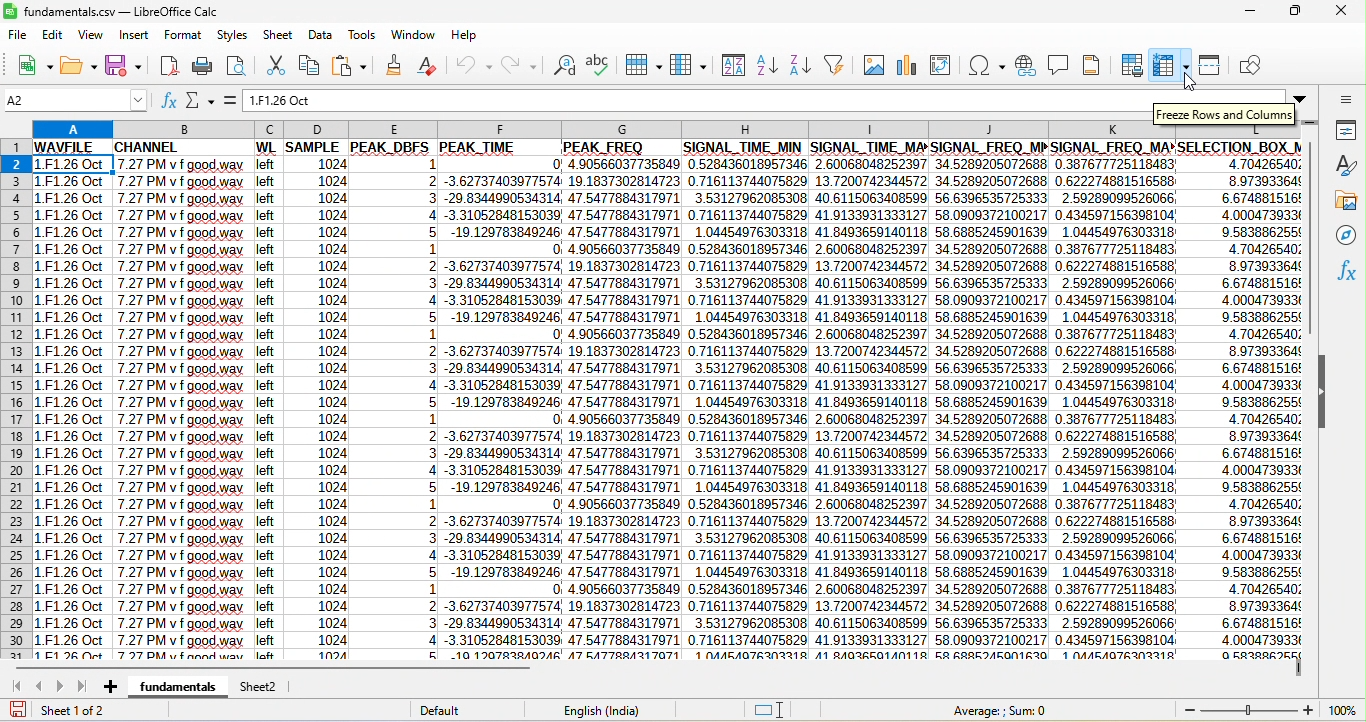 This screenshot has height=722, width=1366. Describe the element at coordinates (1191, 78) in the screenshot. I see `cursor` at that location.